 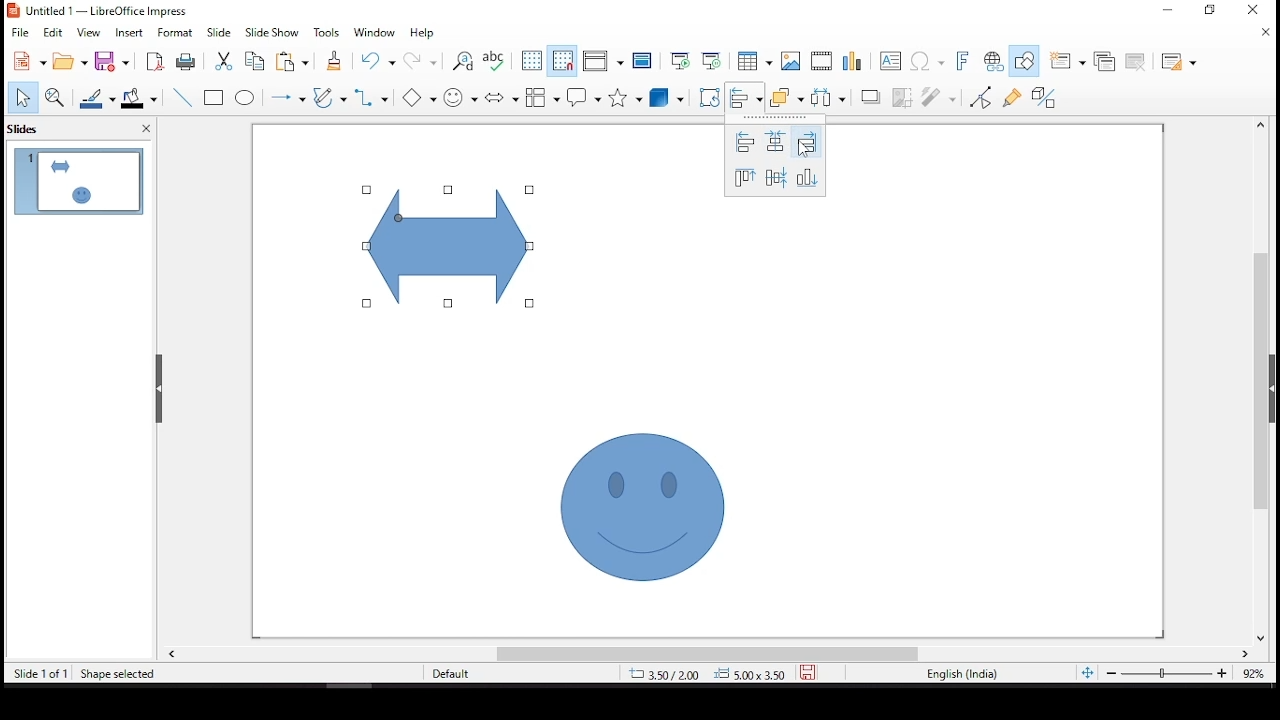 I want to click on default, so click(x=457, y=673).